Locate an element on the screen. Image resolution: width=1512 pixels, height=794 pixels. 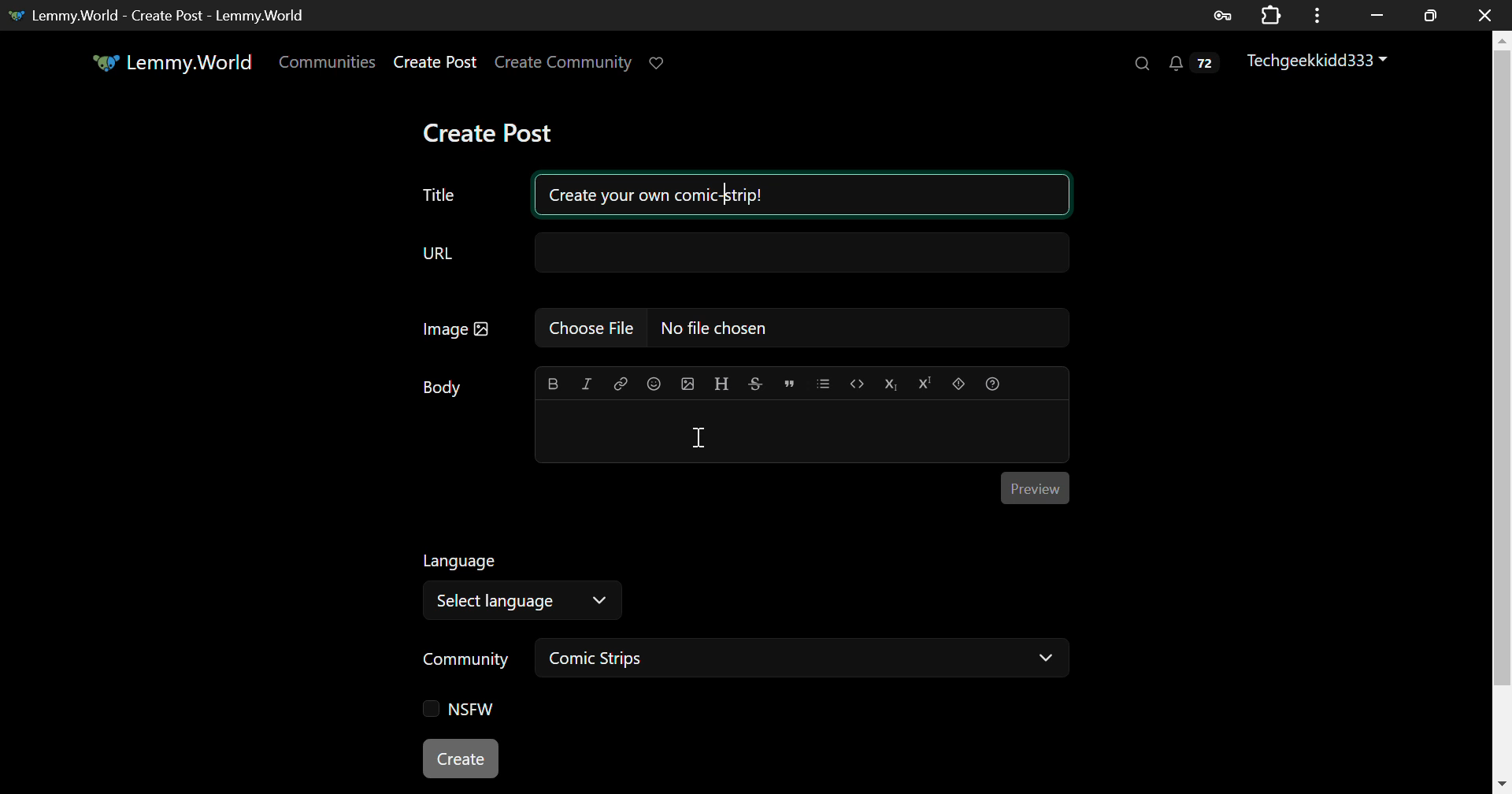
Title is located at coordinates (439, 195).